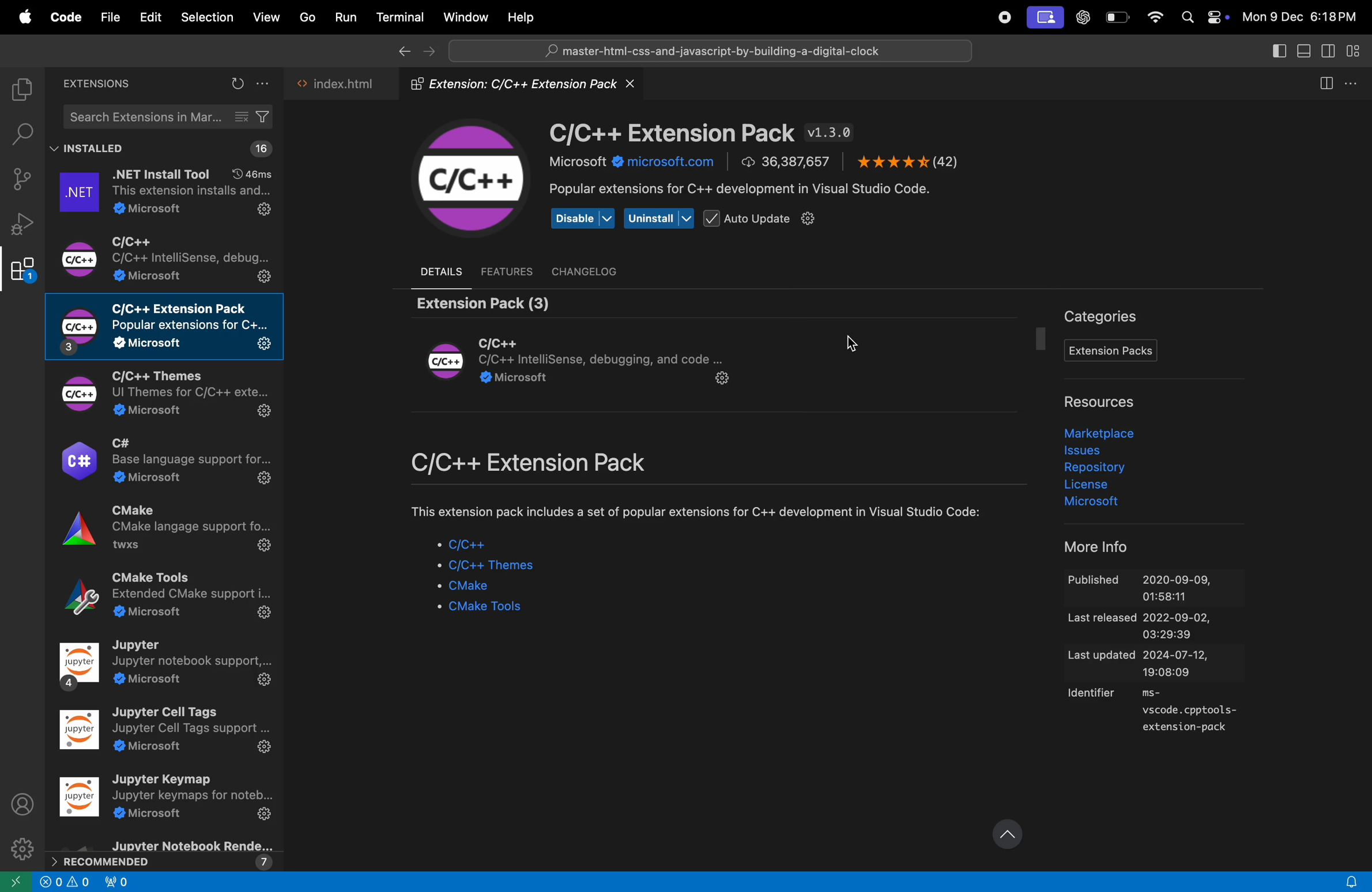 This screenshot has width=1372, height=892. Describe the element at coordinates (66, 17) in the screenshot. I see `Code` at that location.